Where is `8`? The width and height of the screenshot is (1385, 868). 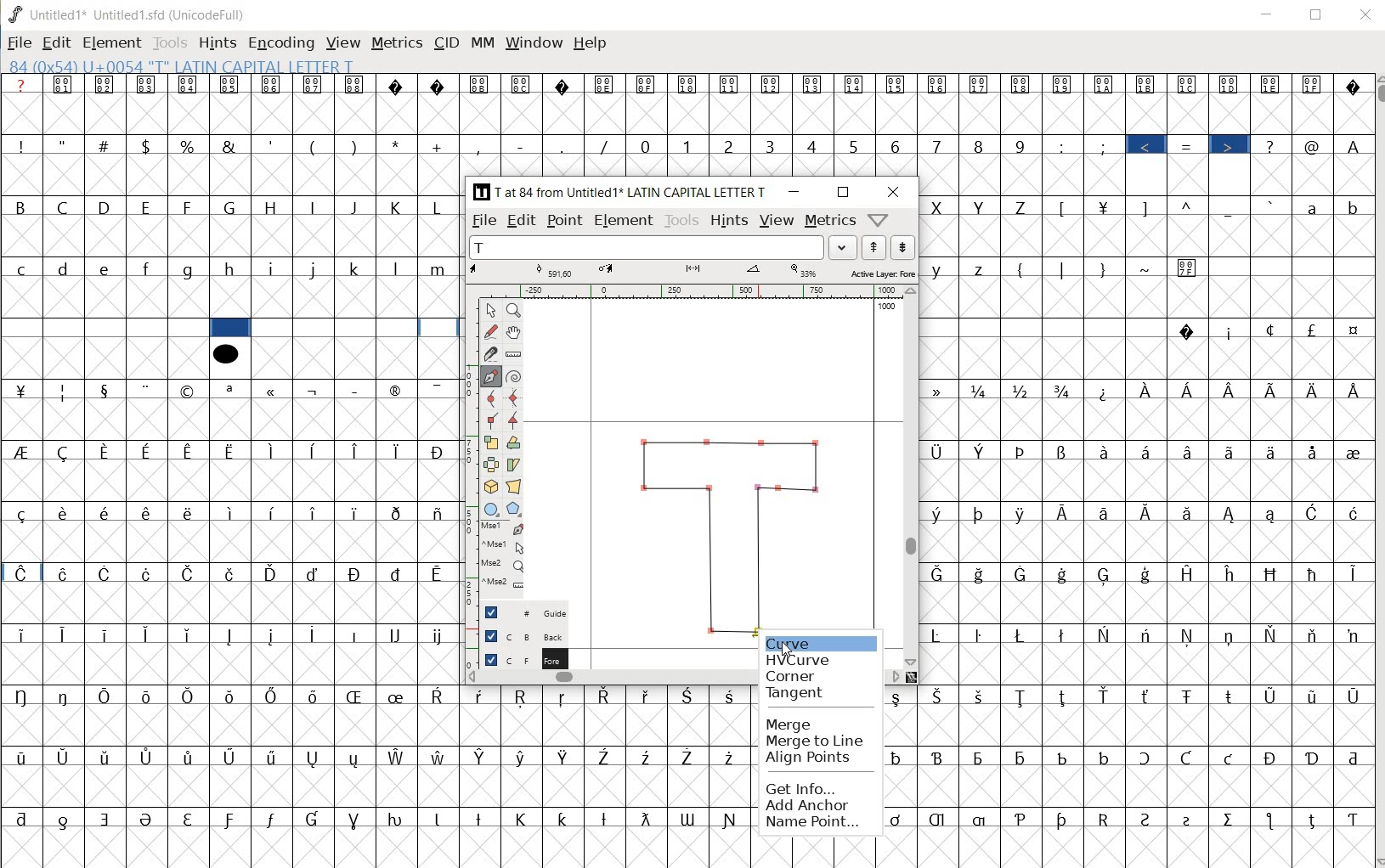 8 is located at coordinates (979, 145).